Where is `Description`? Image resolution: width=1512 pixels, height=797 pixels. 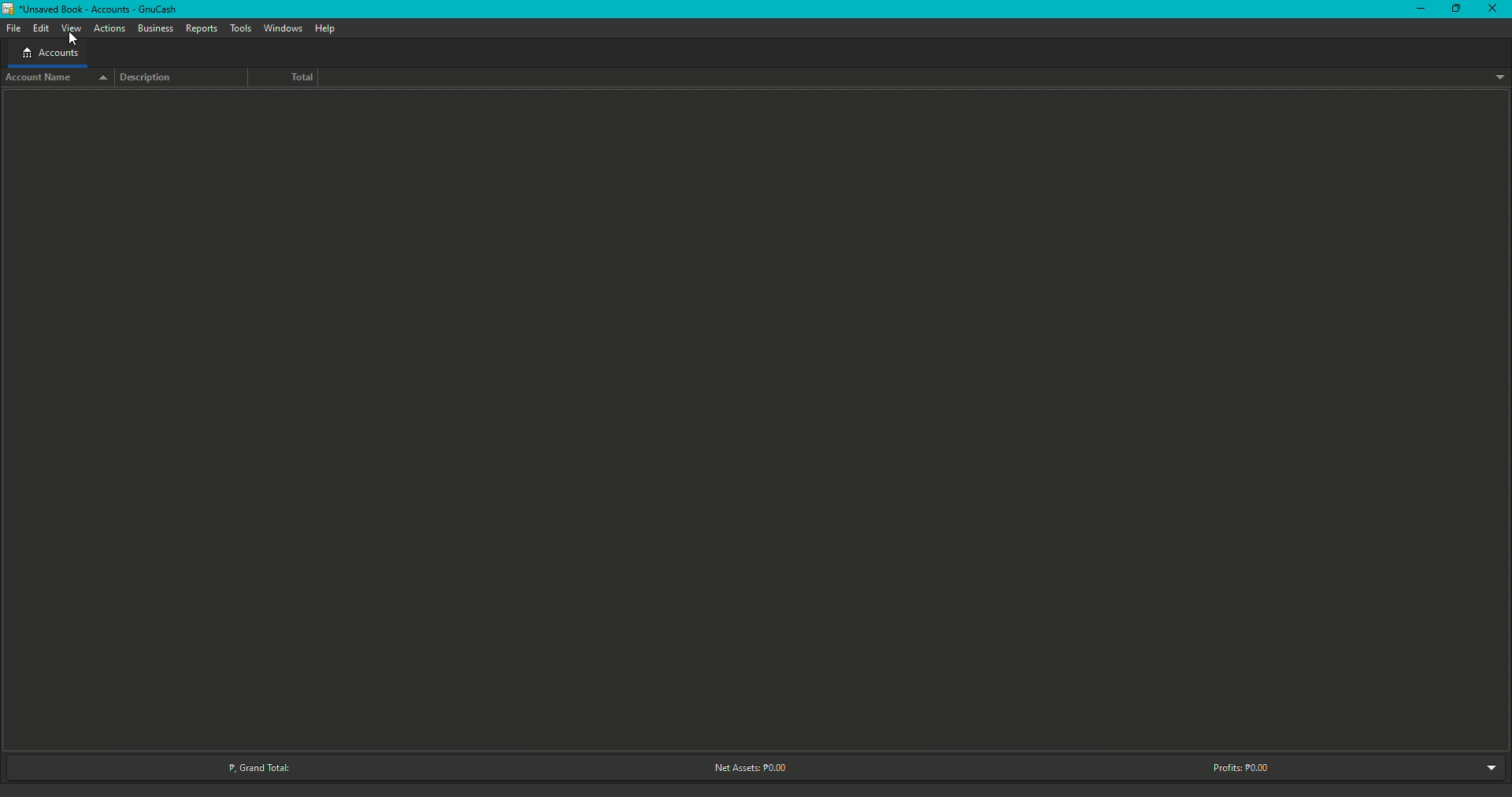 Description is located at coordinates (149, 80).